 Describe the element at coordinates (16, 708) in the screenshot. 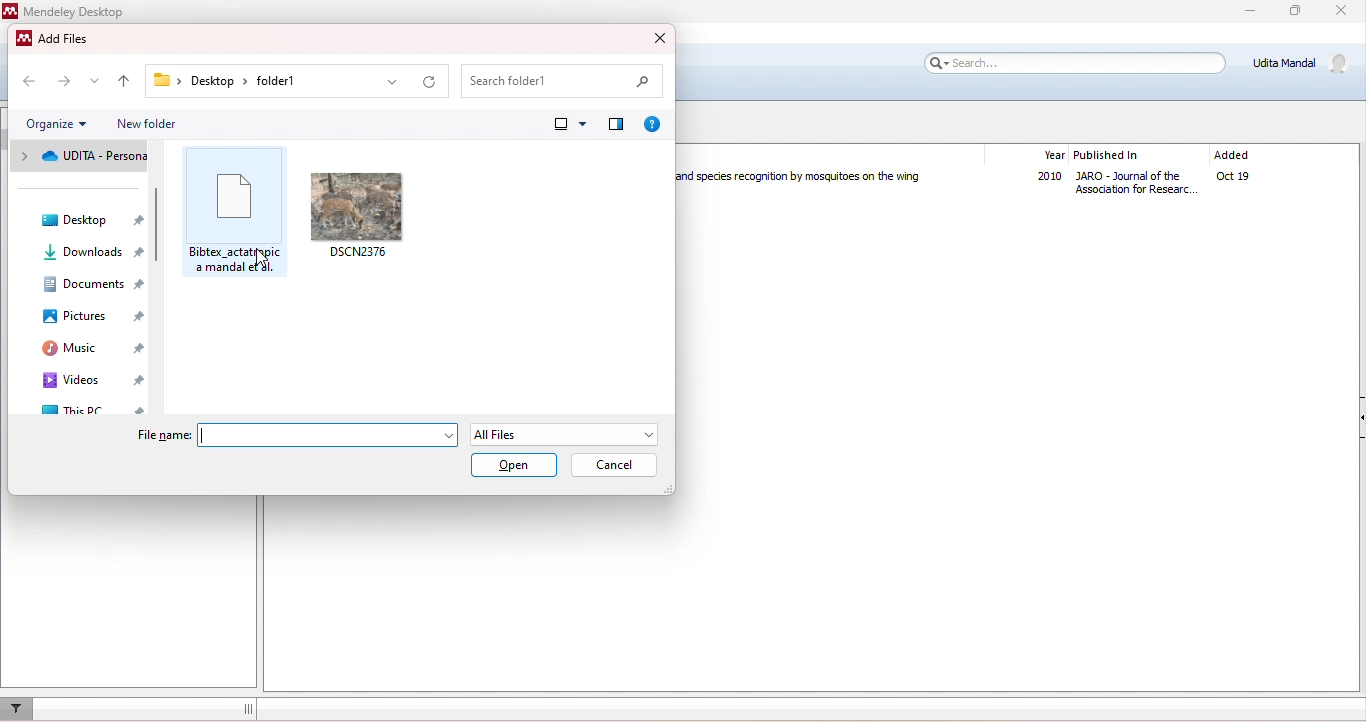

I see `filter` at that location.